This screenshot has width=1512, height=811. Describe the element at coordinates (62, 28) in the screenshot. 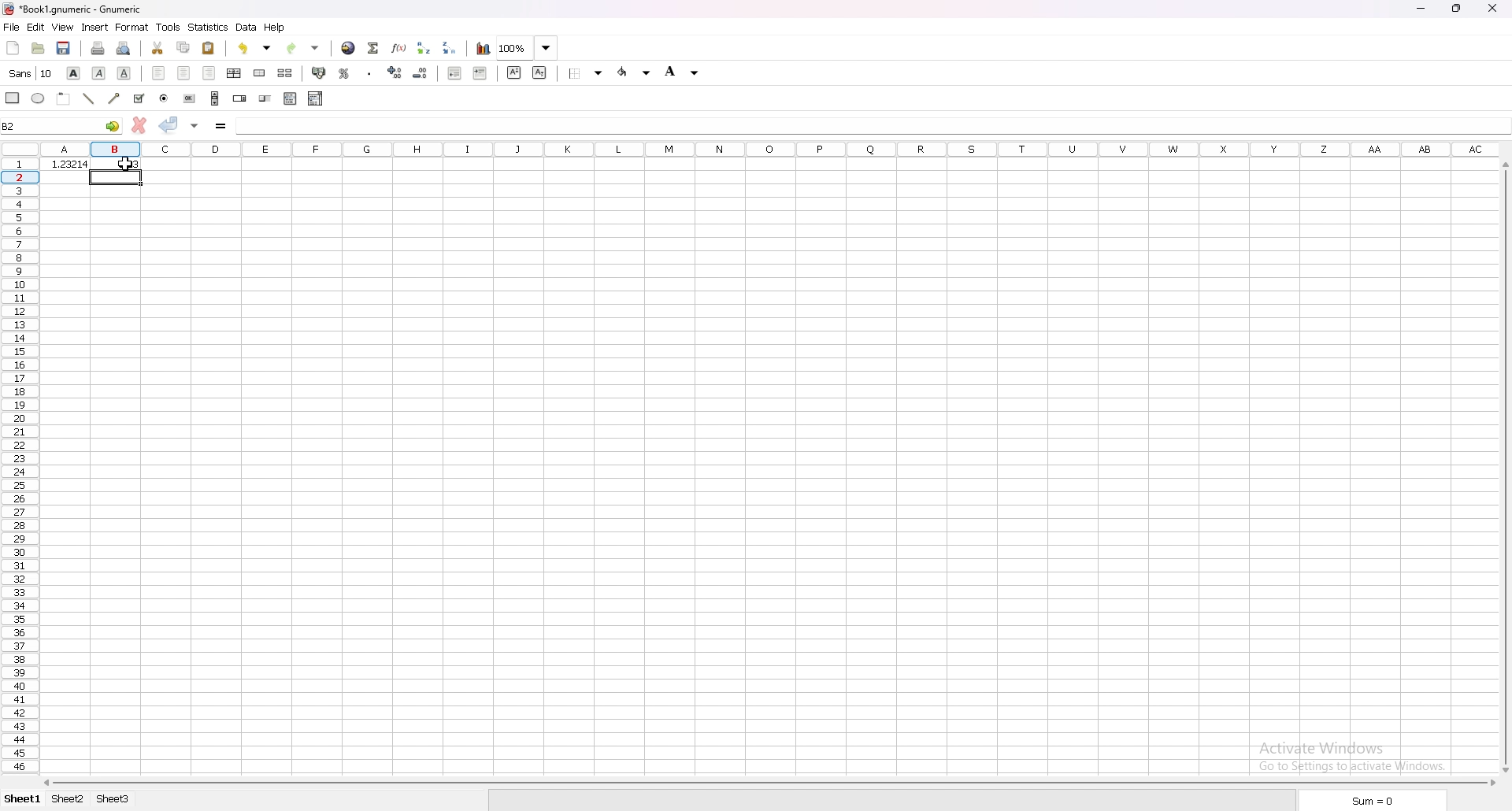

I see `view` at that location.